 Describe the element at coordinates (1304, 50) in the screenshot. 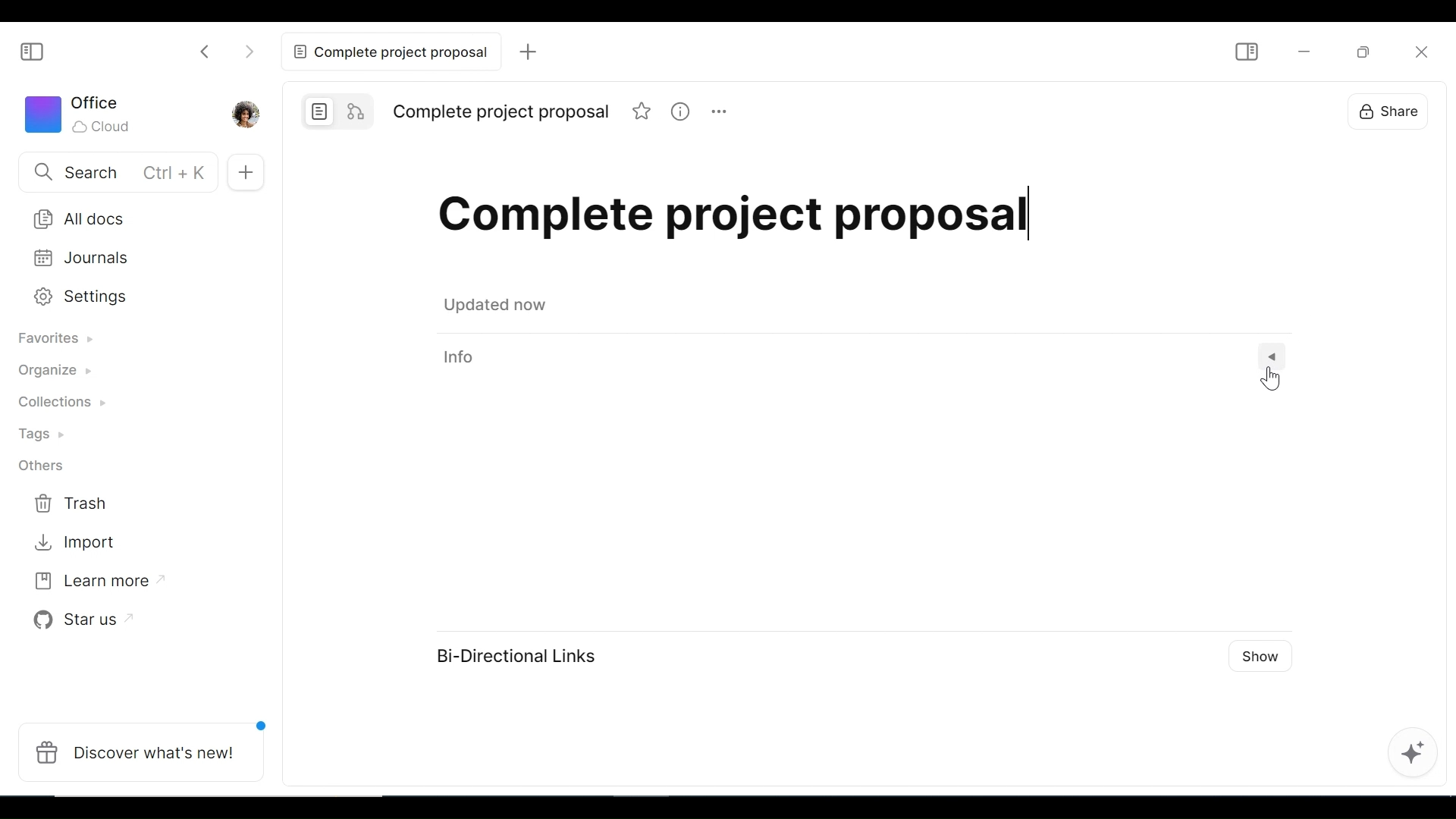

I see `minimize` at that location.